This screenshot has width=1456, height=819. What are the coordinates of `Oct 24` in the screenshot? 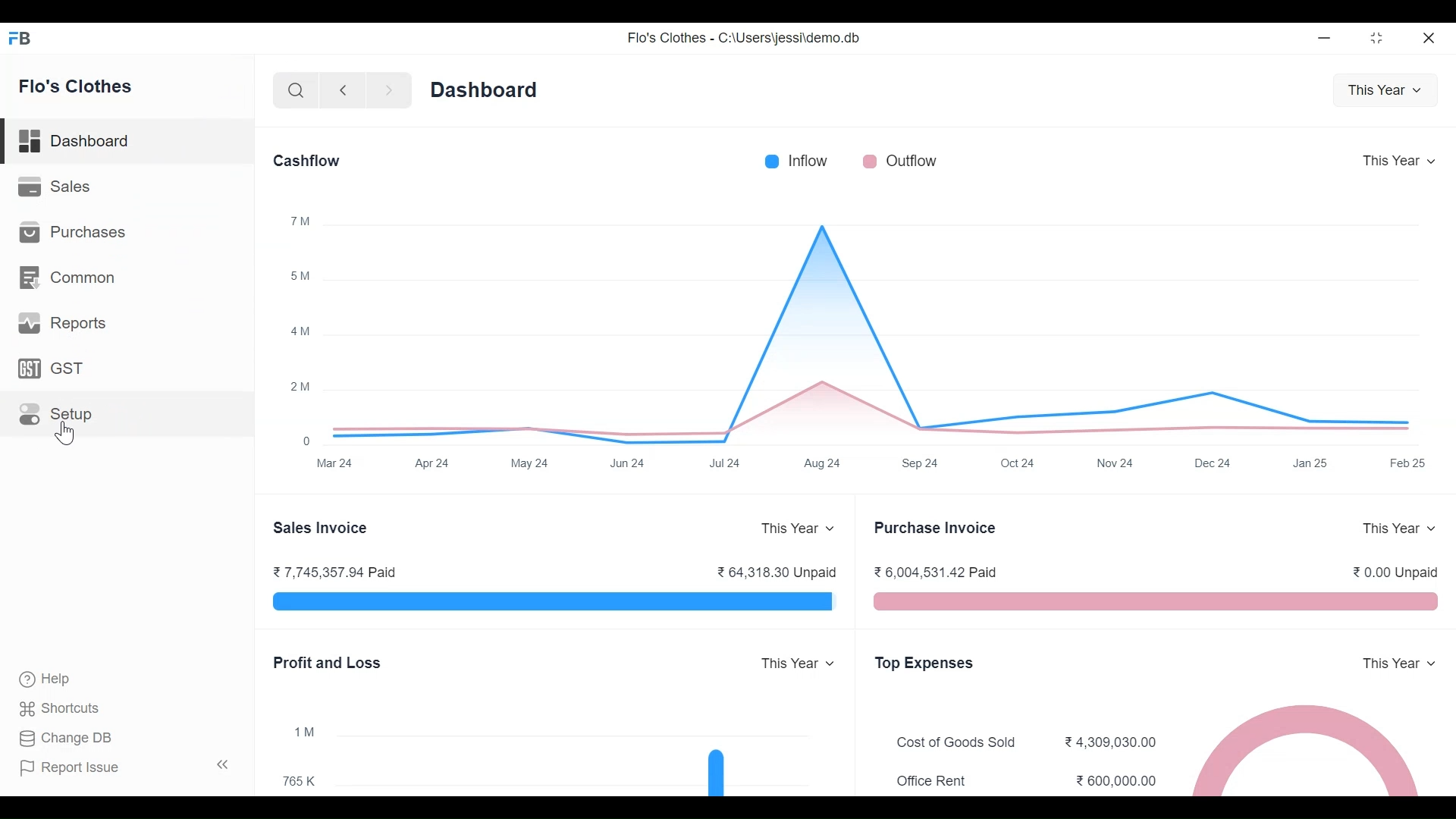 It's located at (1015, 463).